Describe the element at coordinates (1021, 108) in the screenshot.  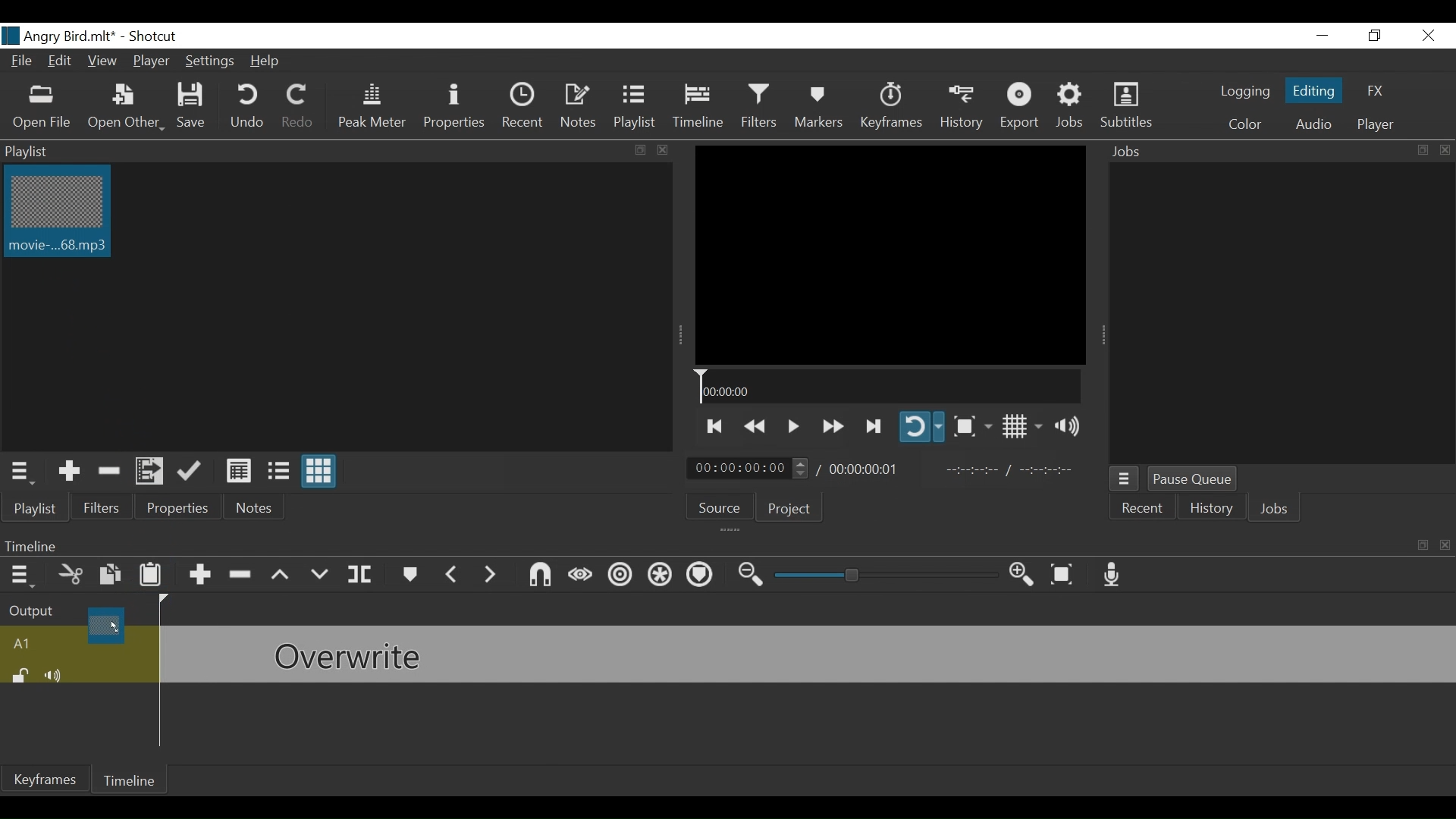
I see `Export` at that location.